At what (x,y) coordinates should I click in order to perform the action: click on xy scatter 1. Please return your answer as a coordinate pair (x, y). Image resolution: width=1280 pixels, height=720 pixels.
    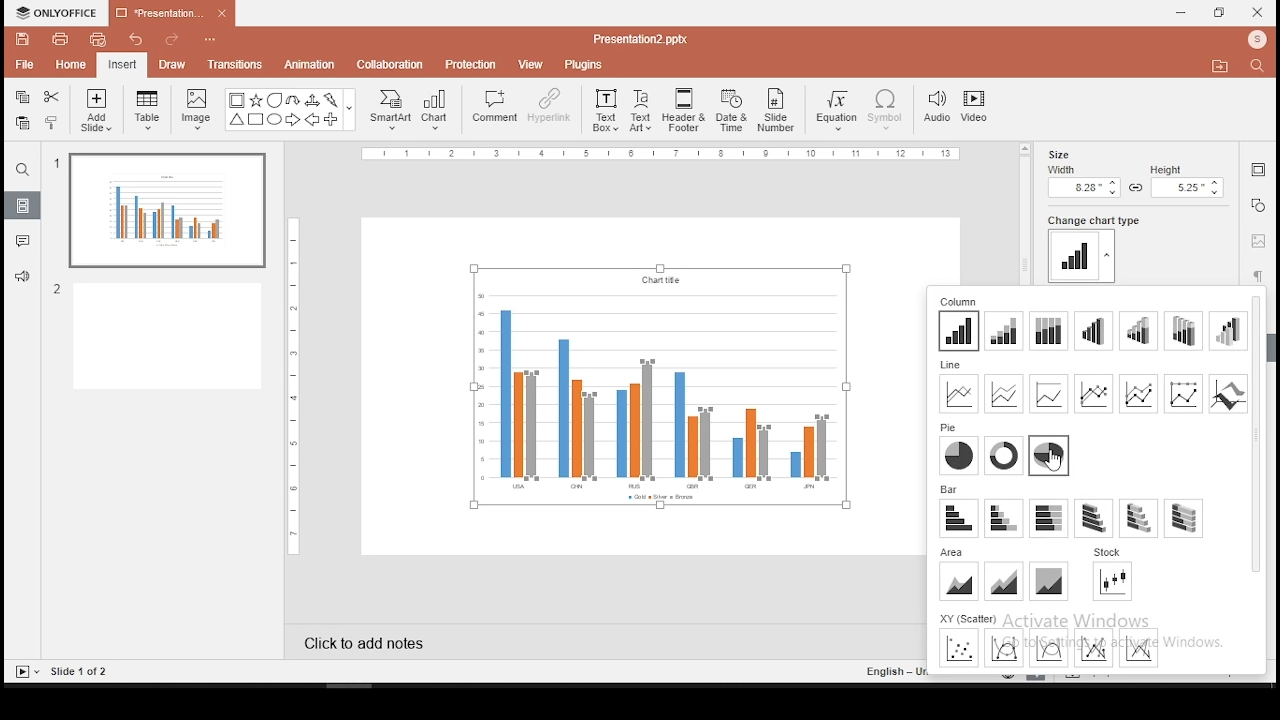
    Looking at the image, I should click on (957, 648).